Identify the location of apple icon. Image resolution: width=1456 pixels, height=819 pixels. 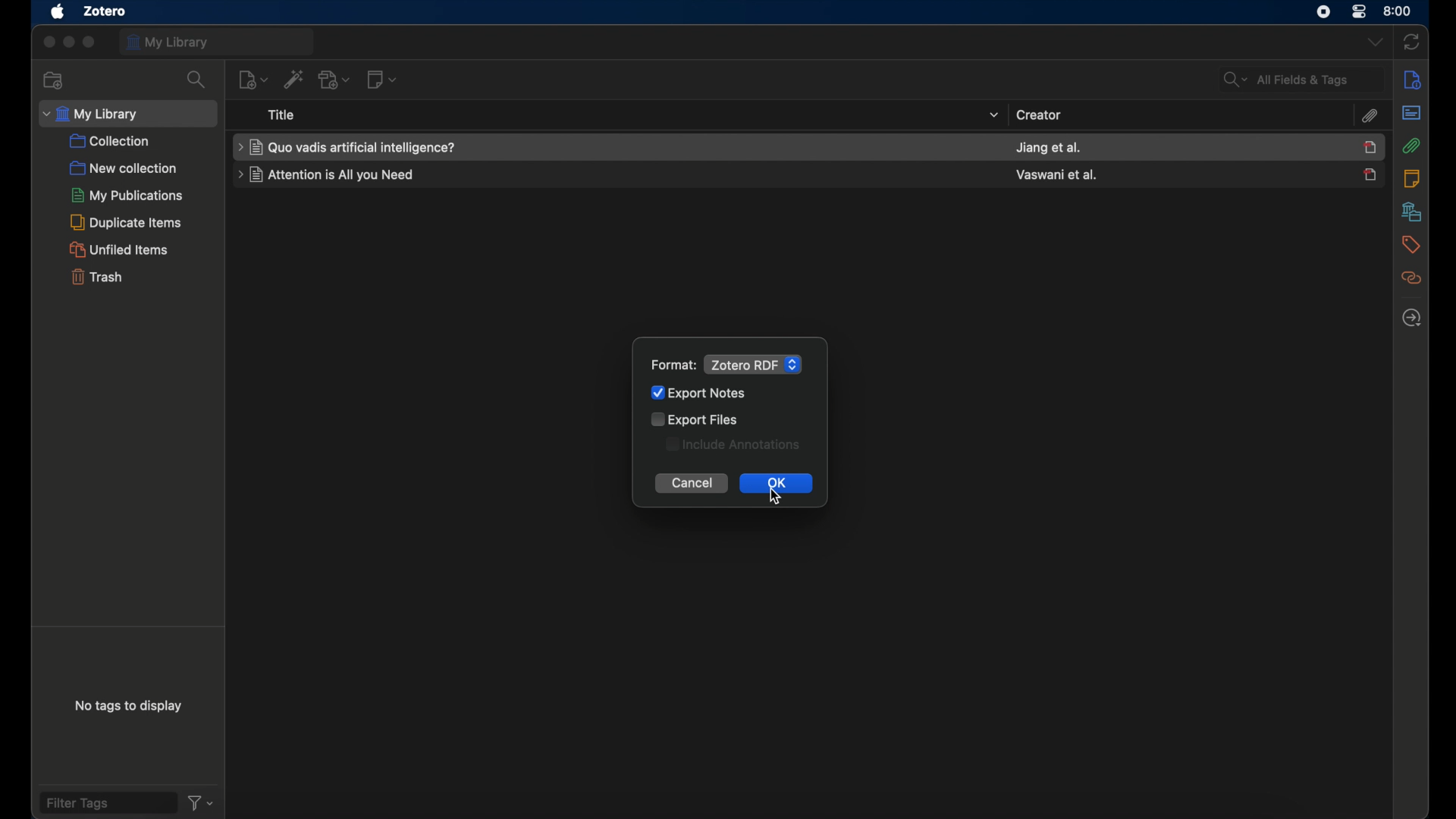
(56, 12).